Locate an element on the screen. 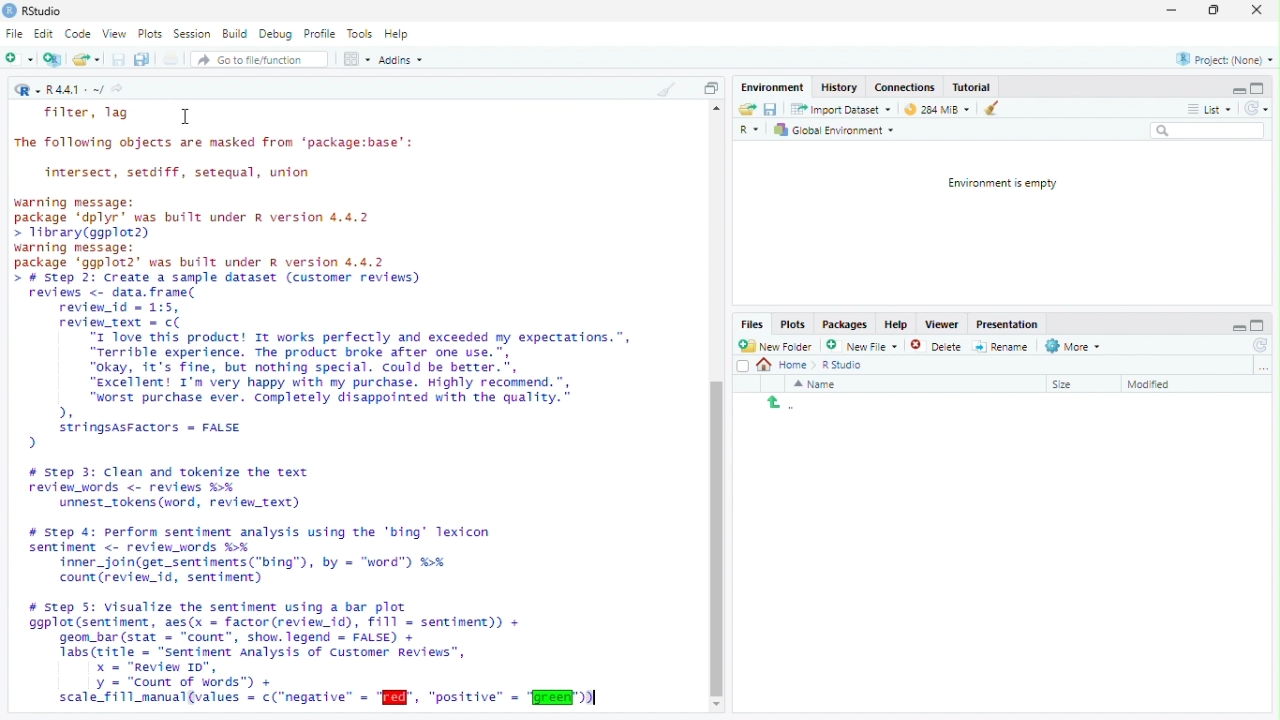 The image size is (1280, 720).  is located at coordinates (775, 88).